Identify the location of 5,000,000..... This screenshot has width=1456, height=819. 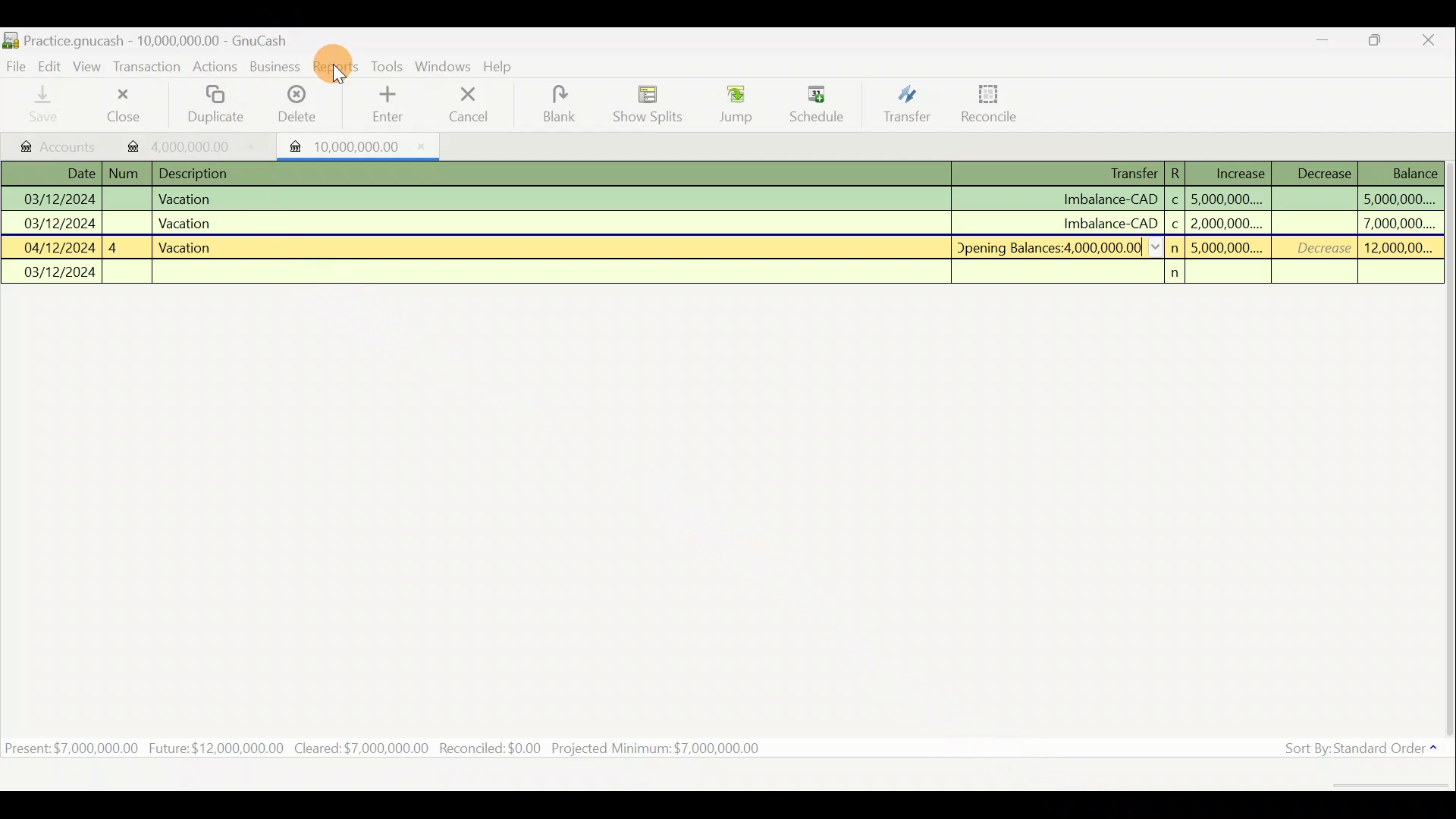
(1398, 199).